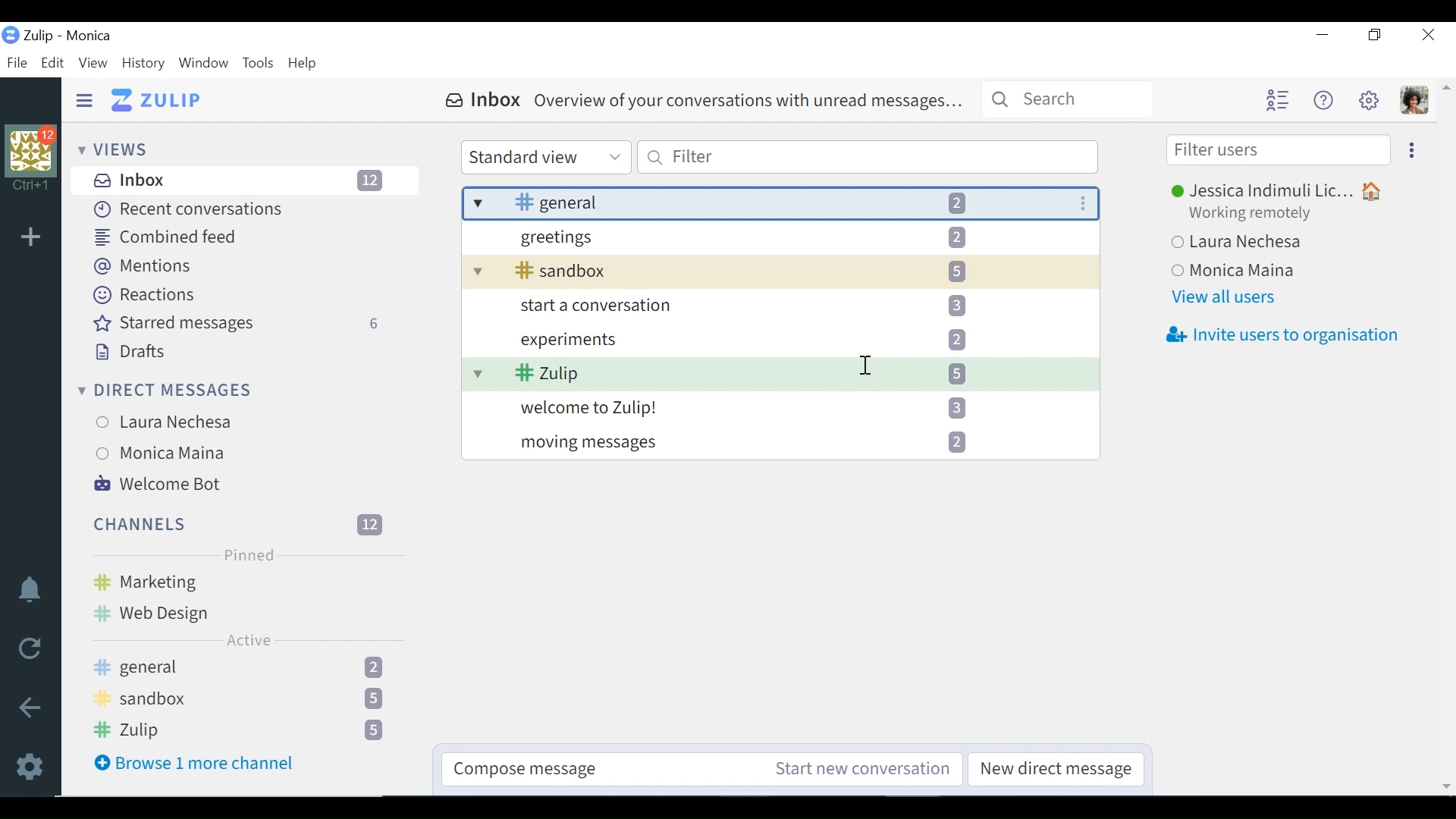 Image resolution: width=1456 pixels, height=819 pixels. What do you see at coordinates (259, 64) in the screenshot?
I see `Tools` at bounding box center [259, 64].